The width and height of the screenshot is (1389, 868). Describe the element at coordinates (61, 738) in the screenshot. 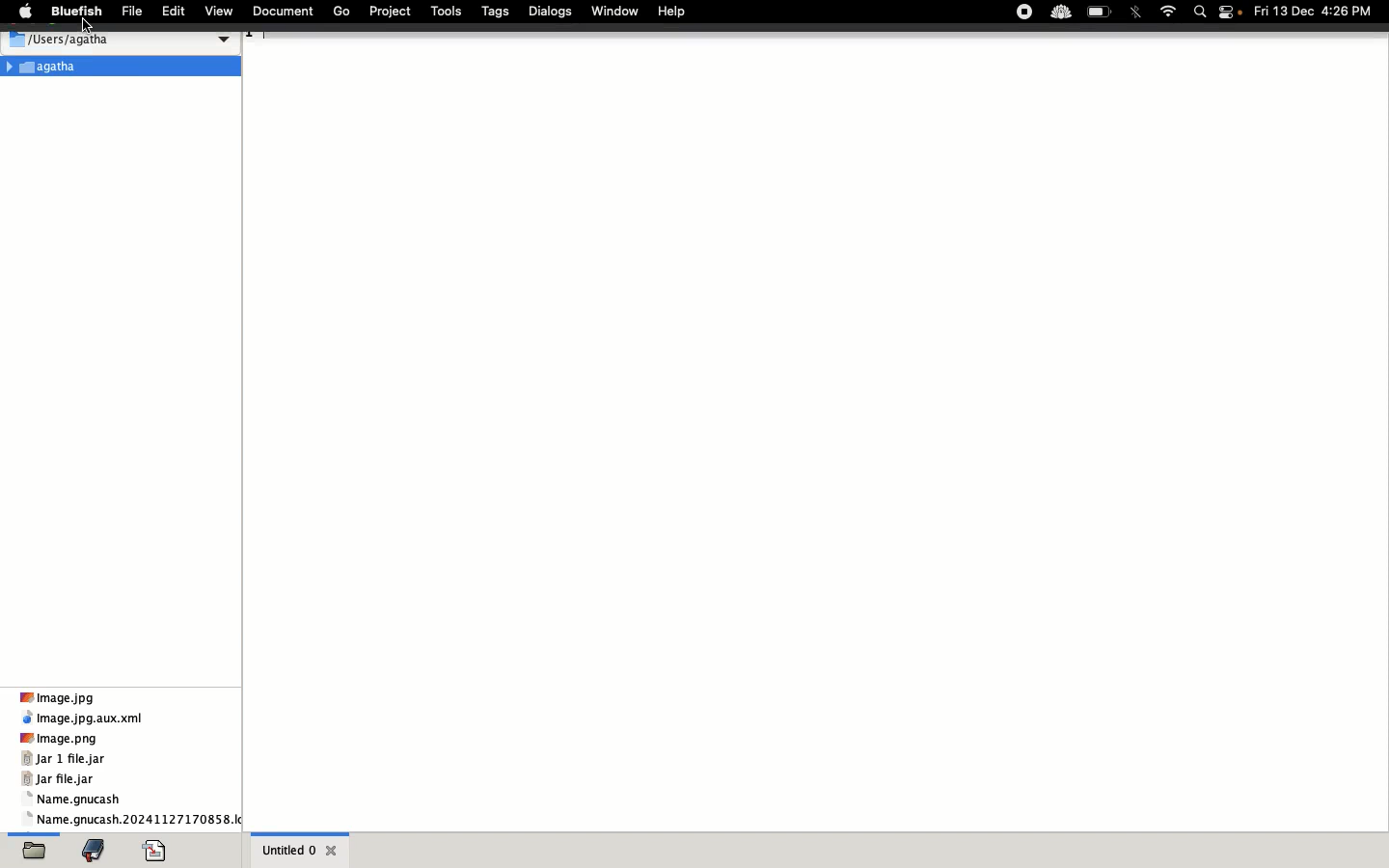

I see `PNG` at that location.